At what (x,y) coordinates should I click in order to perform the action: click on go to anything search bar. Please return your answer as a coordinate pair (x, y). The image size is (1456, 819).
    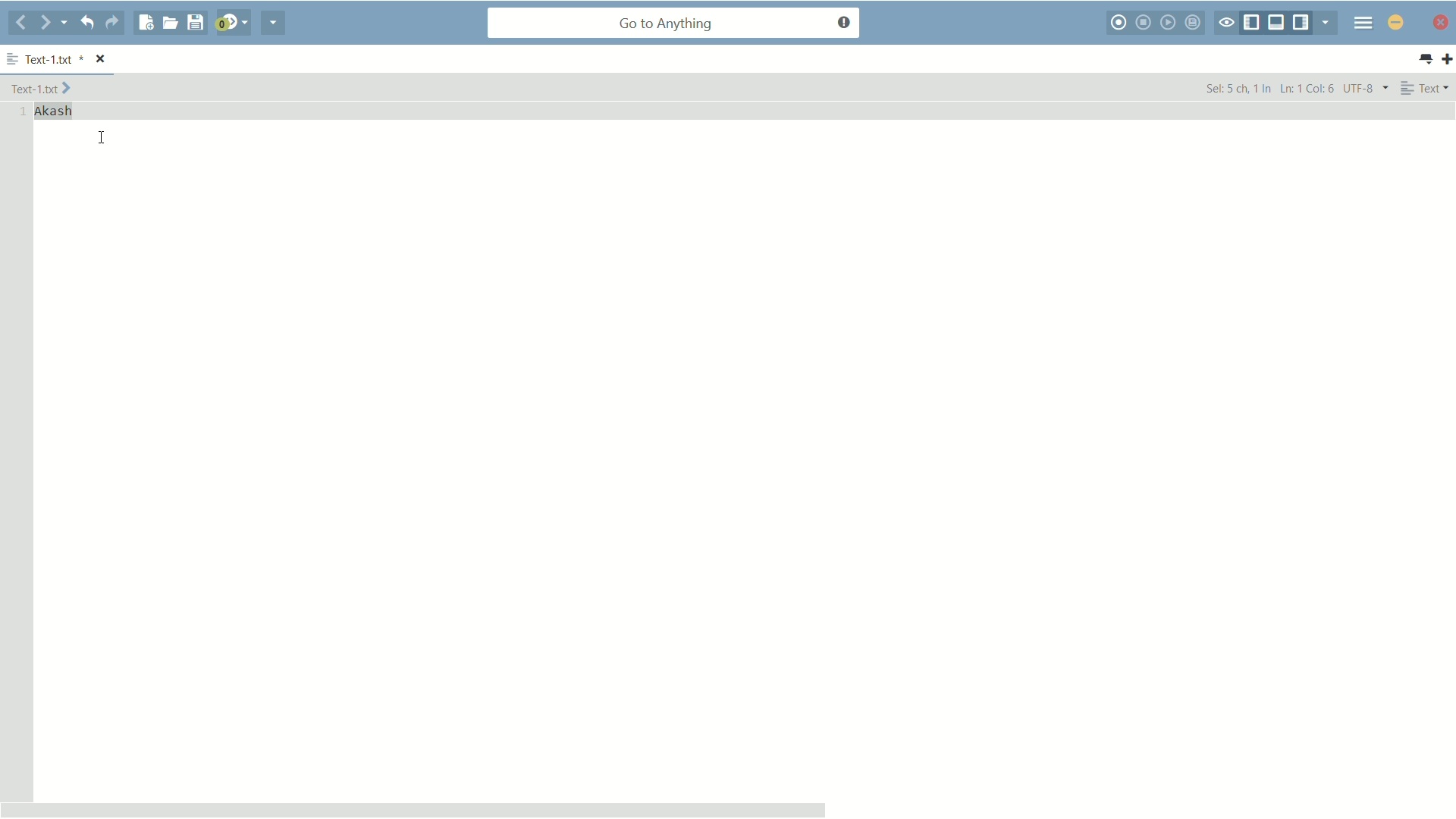
    Looking at the image, I should click on (674, 24).